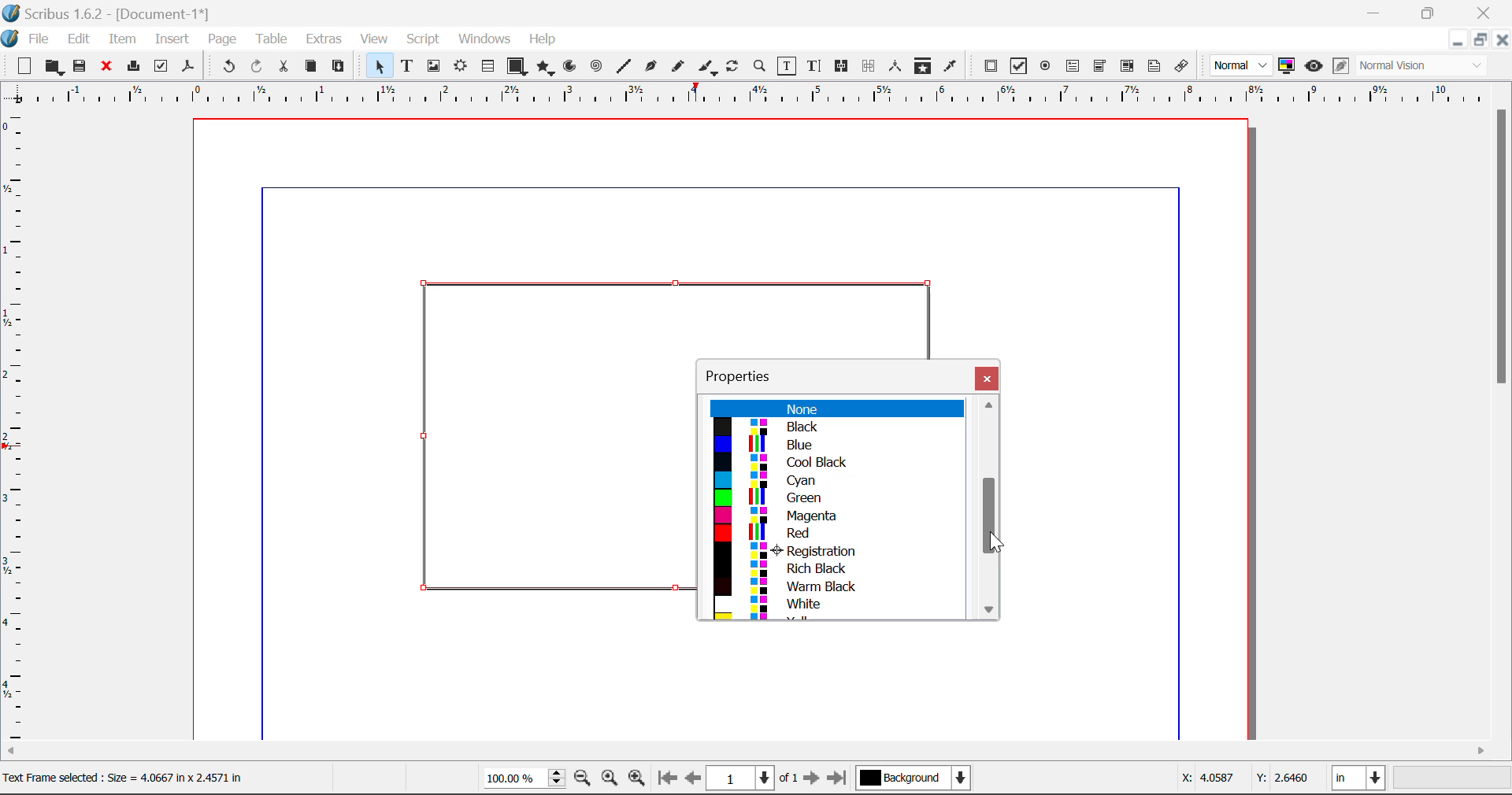  What do you see at coordinates (835, 427) in the screenshot?
I see `Black` at bounding box center [835, 427].